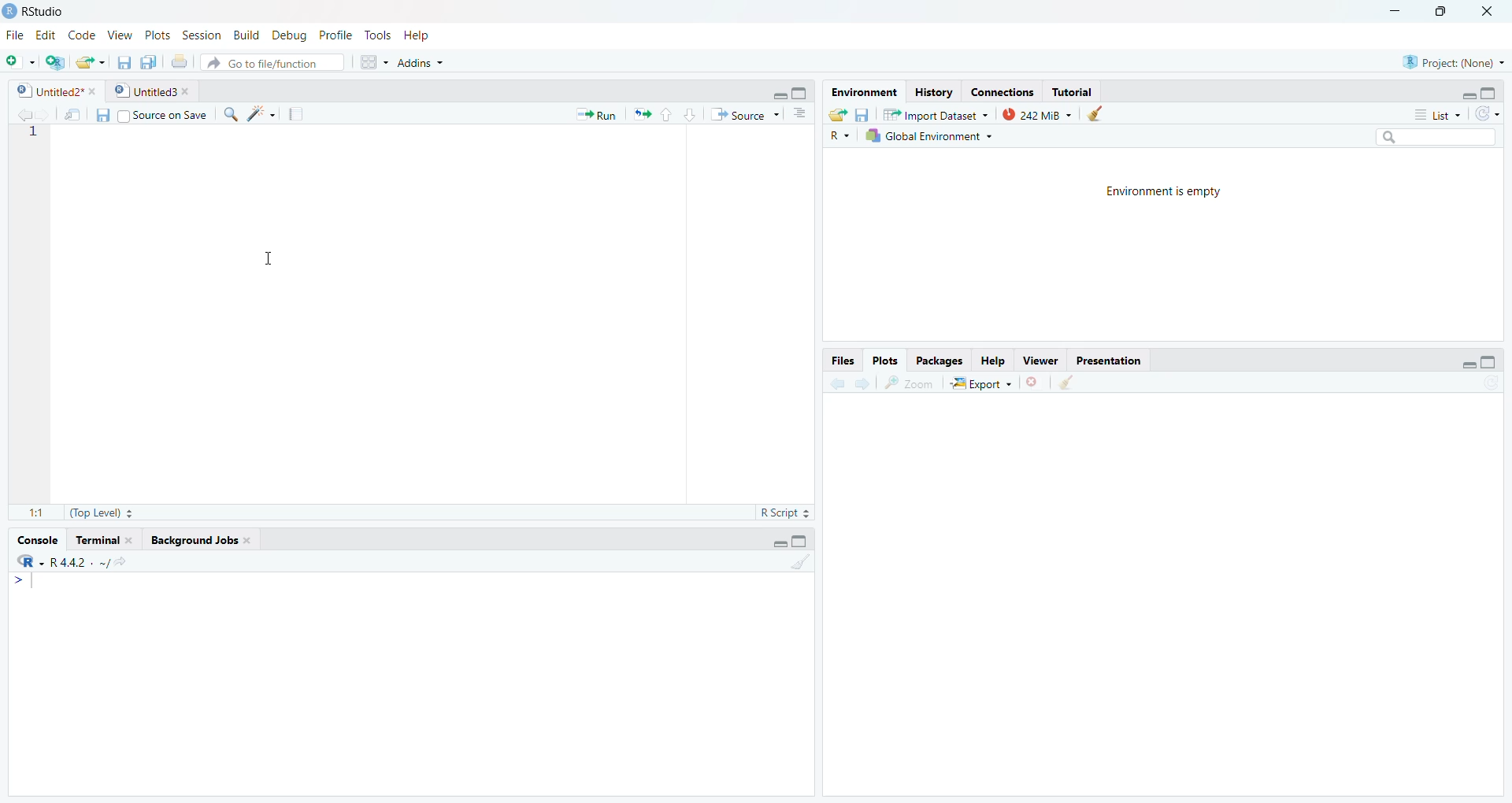 This screenshot has height=803, width=1512. I want to click on cursor, so click(264, 259).